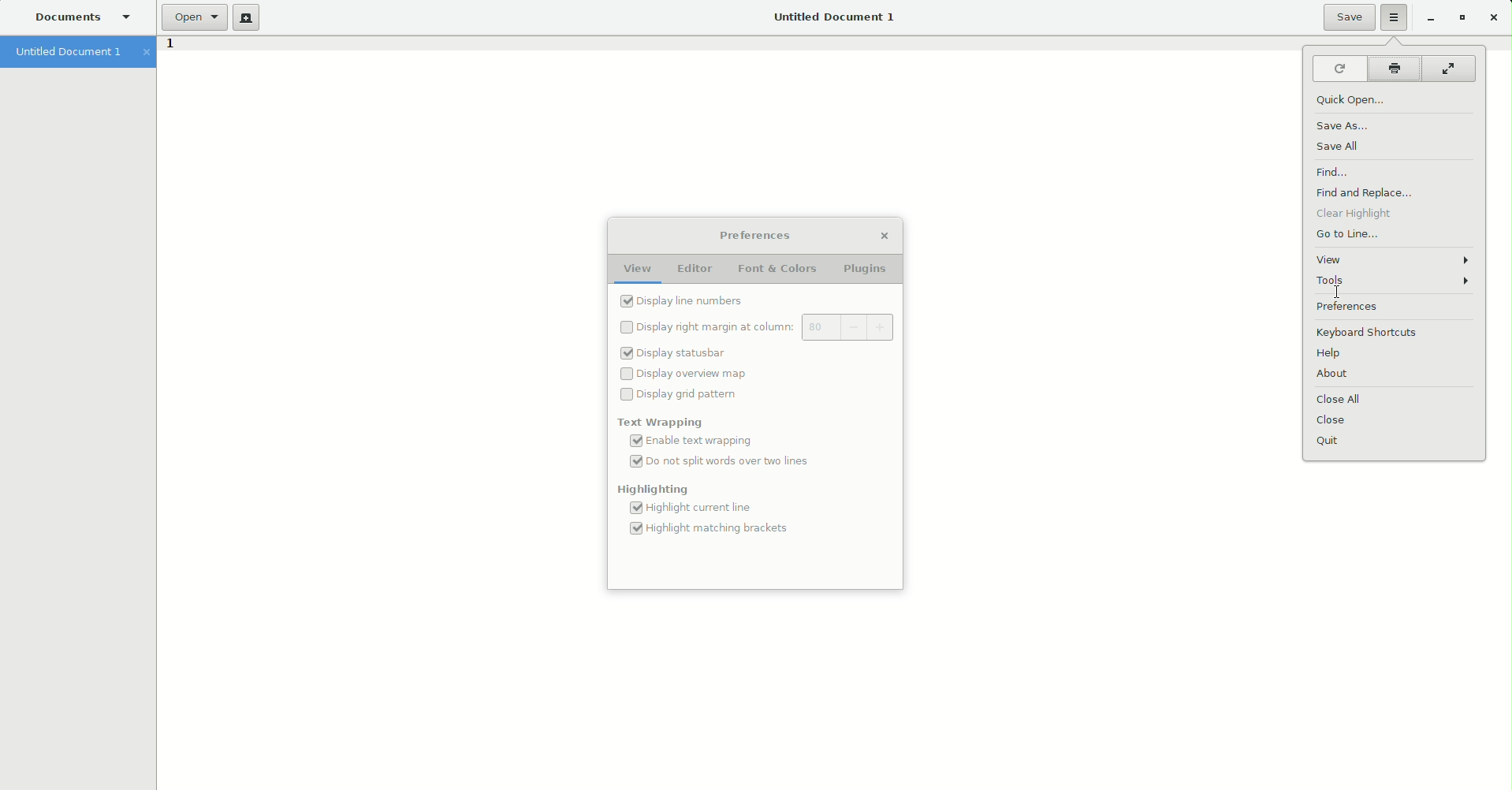 This screenshot has height=790, width=1512. I want to click on highlight matching brackets, so click(715, 532).